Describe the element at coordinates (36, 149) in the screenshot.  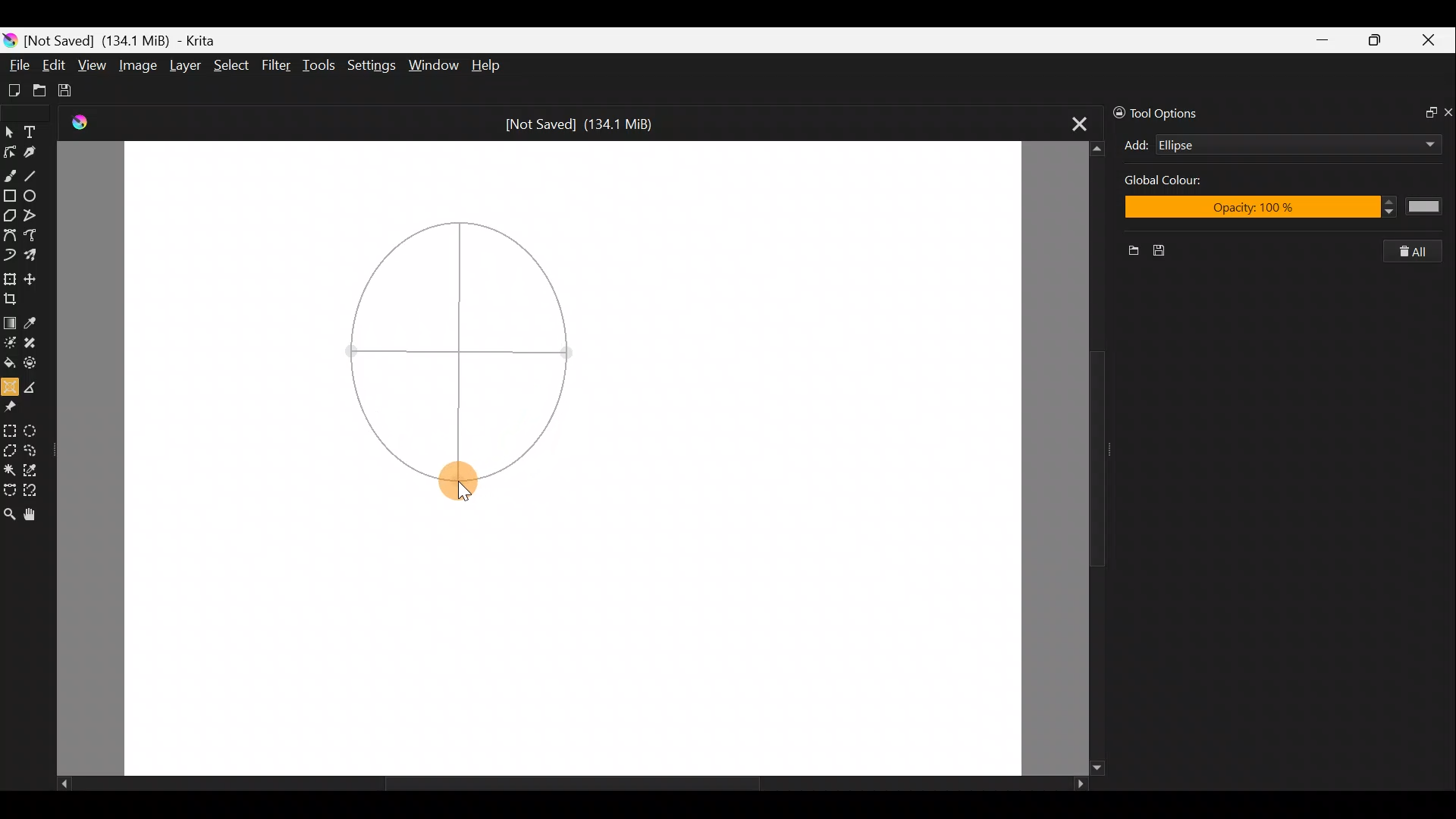
I see `Calligraphy` at that location.